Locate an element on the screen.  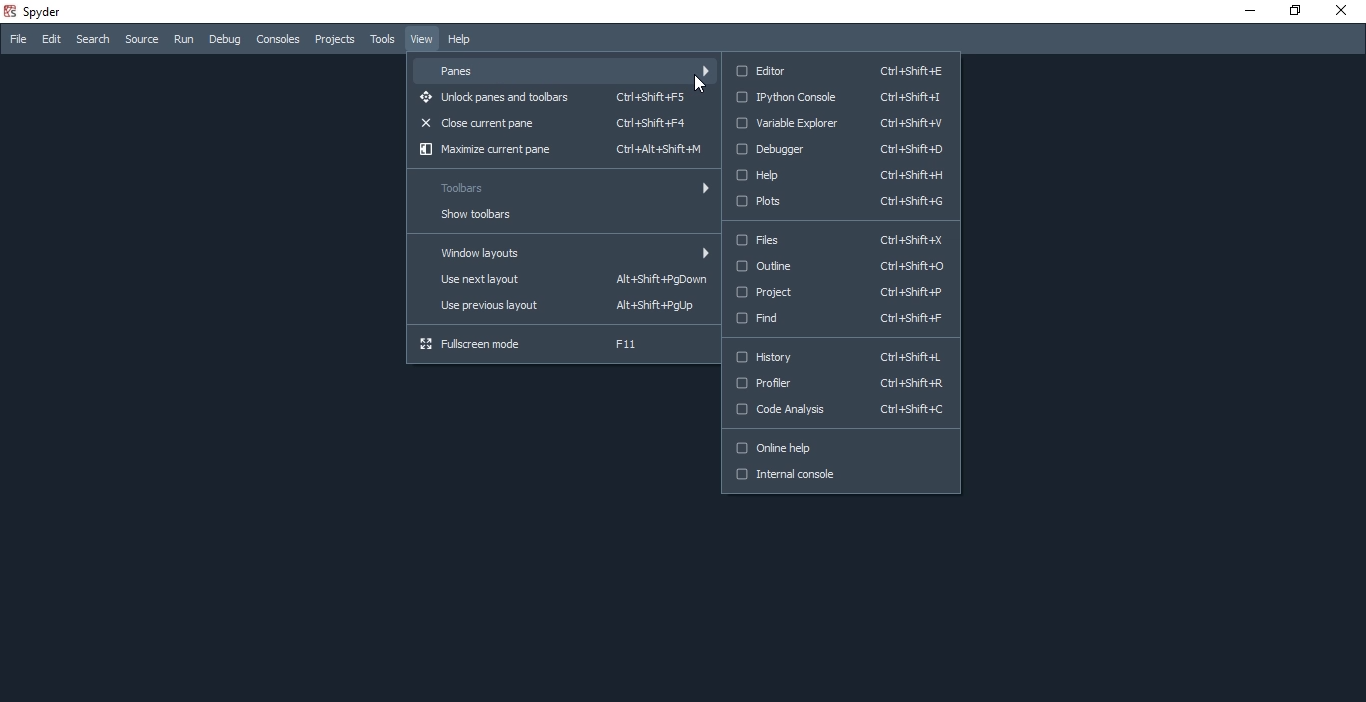
Consoles is located at coordinates (280, 38).